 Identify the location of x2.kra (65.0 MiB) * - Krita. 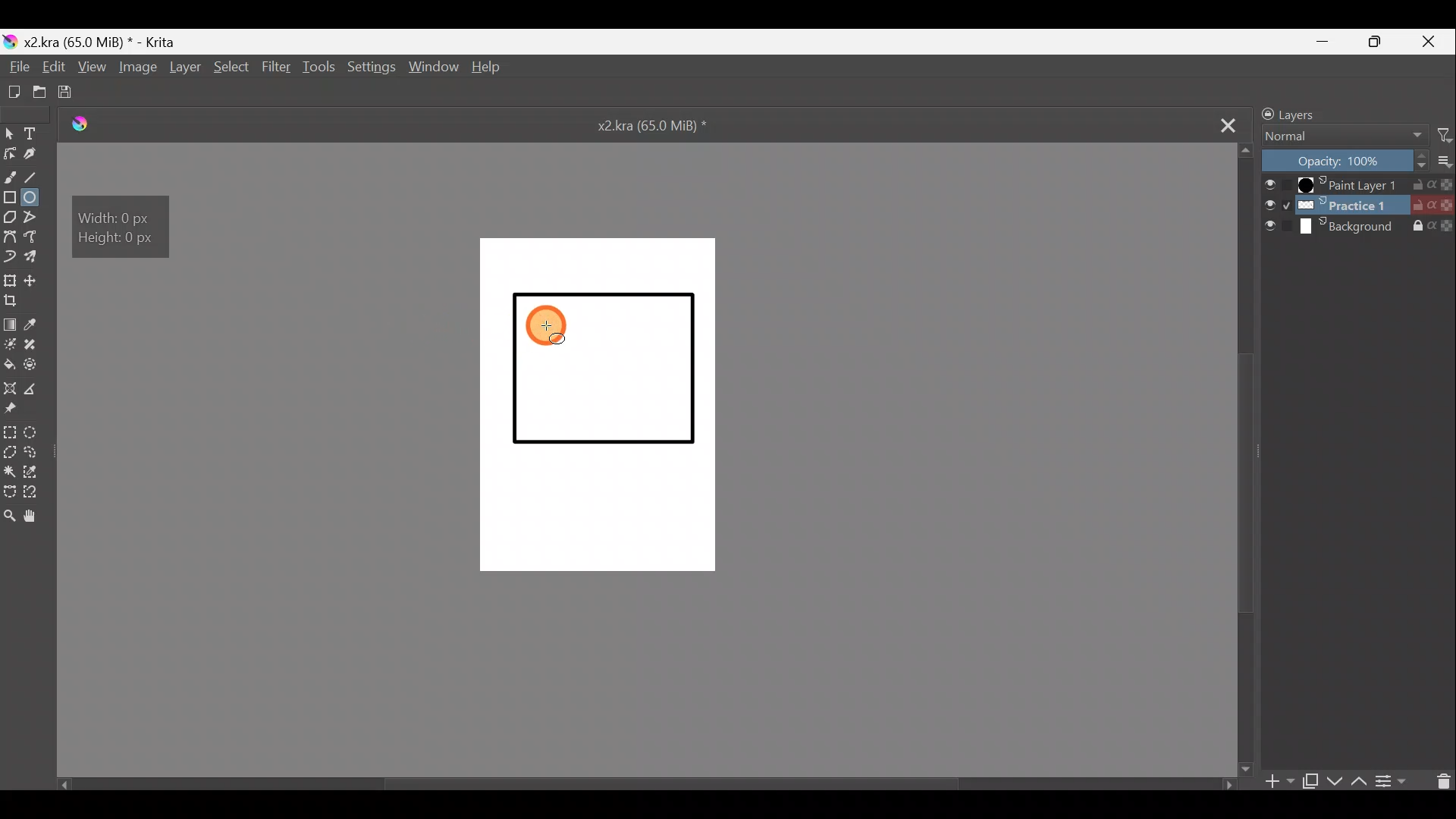
(108, 39).